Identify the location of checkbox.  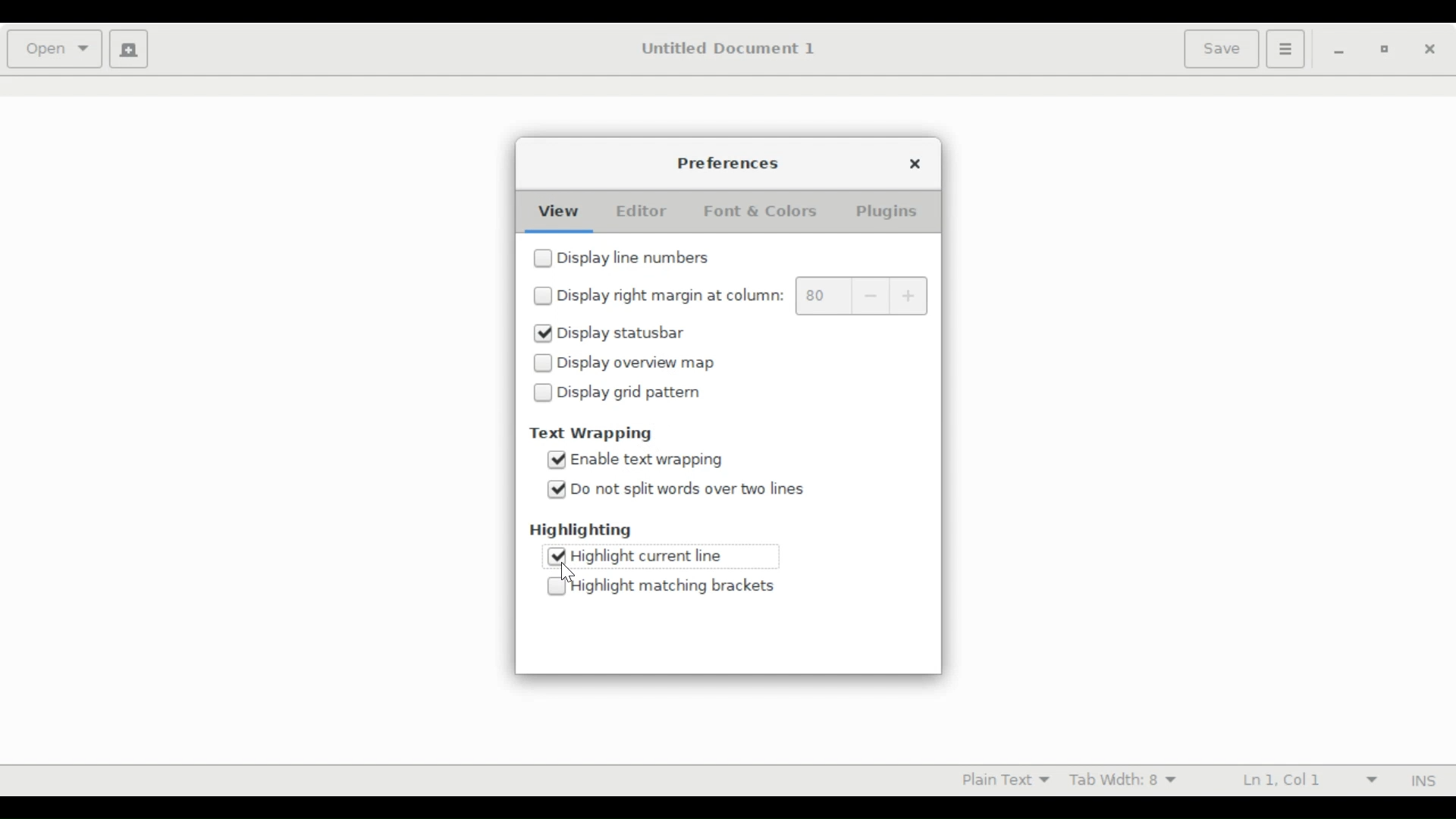
(541, 259).